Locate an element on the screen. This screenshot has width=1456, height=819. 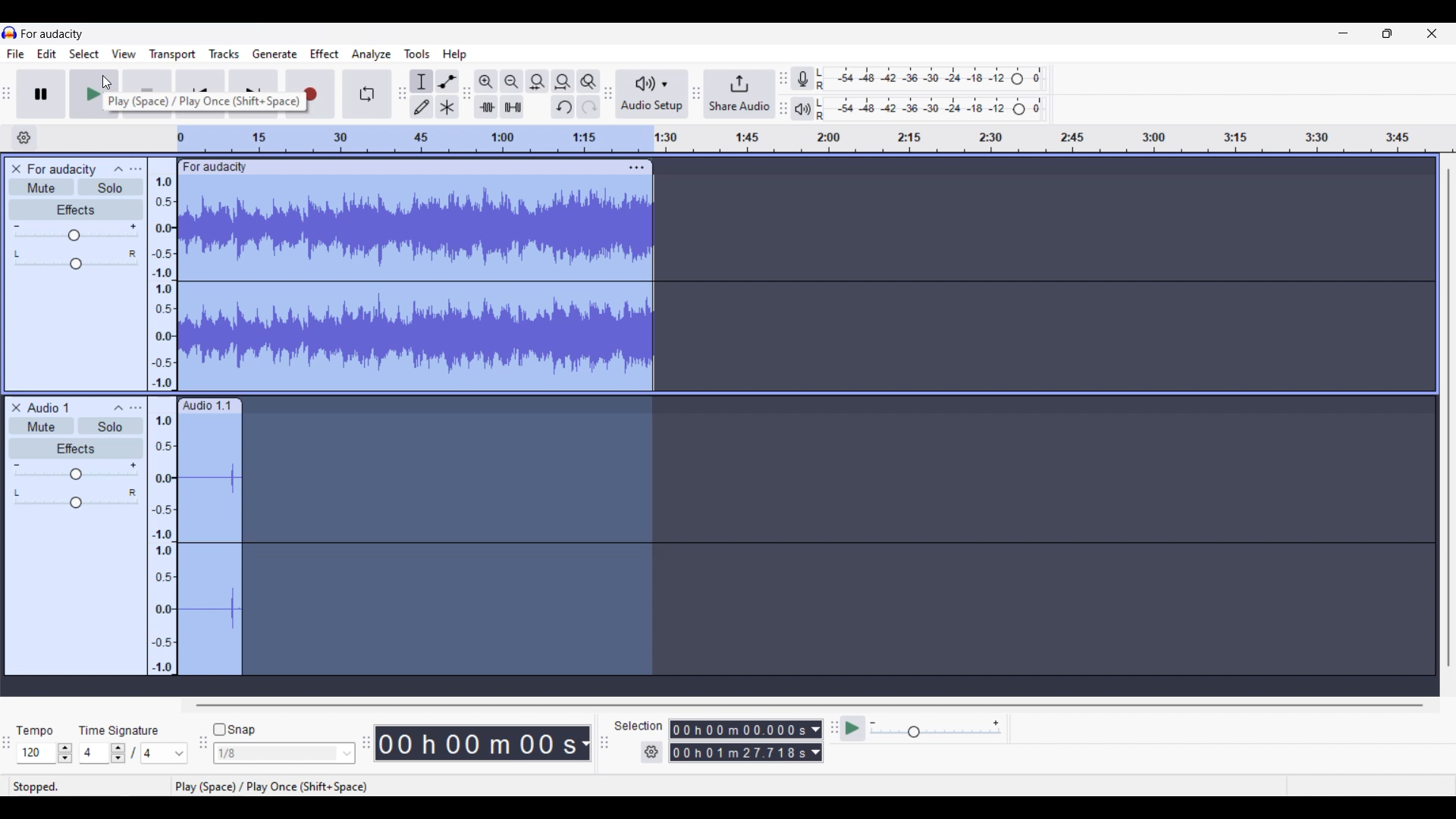
Tempo settings is located at coordinates (45, 753).